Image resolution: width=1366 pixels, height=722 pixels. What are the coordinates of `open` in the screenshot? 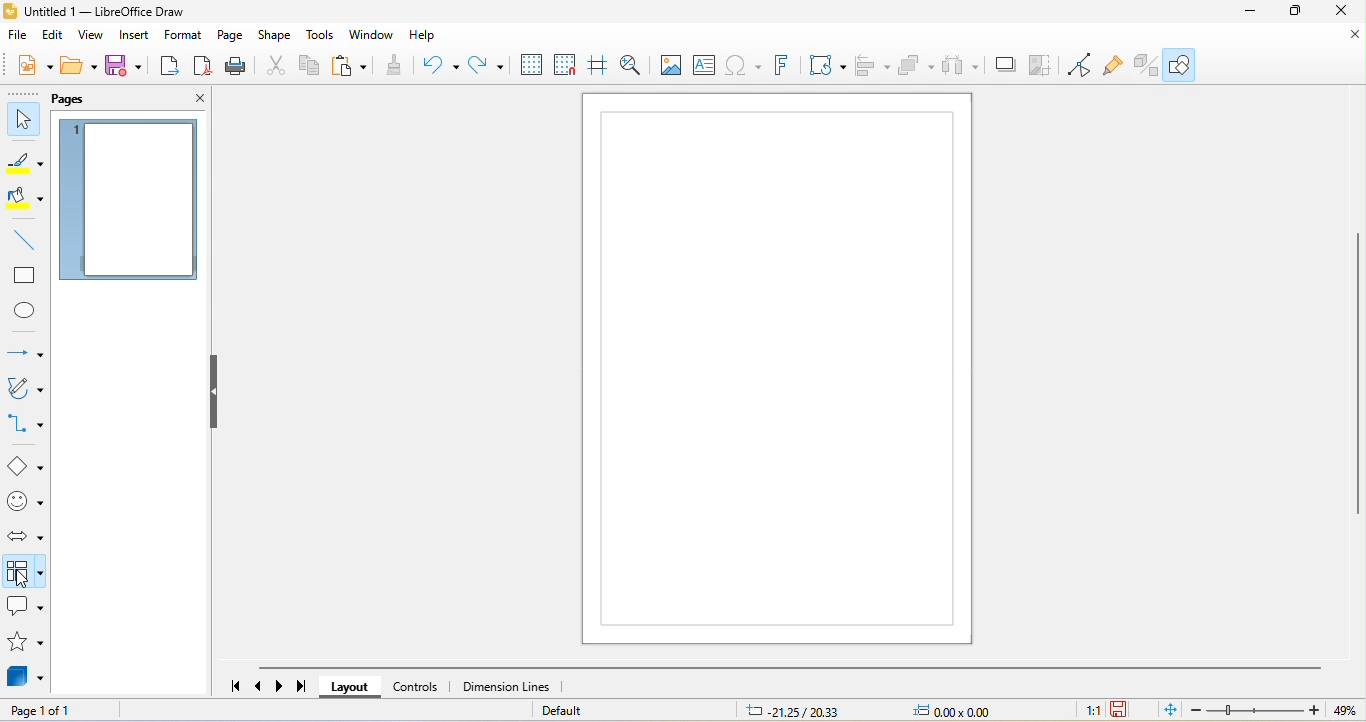 It's located at (79, 64).